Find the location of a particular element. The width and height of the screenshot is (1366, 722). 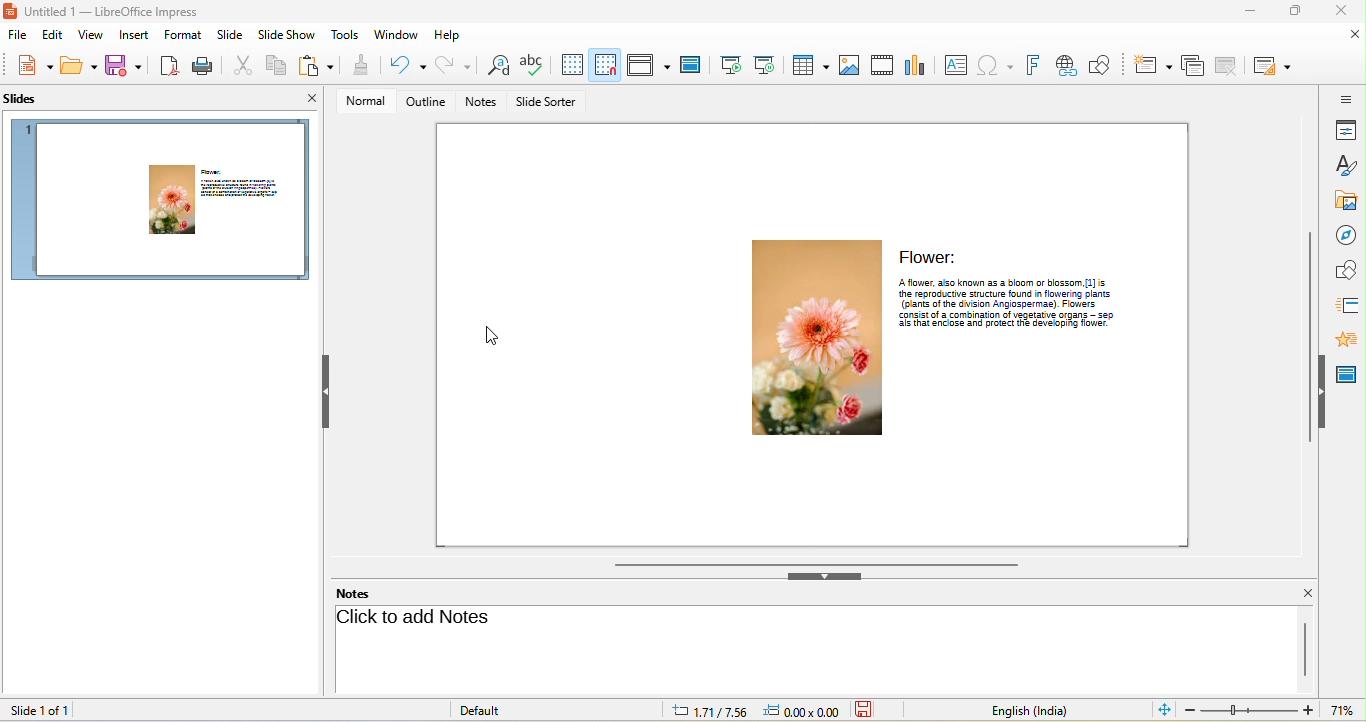

save is located at coordinates (79, 68).